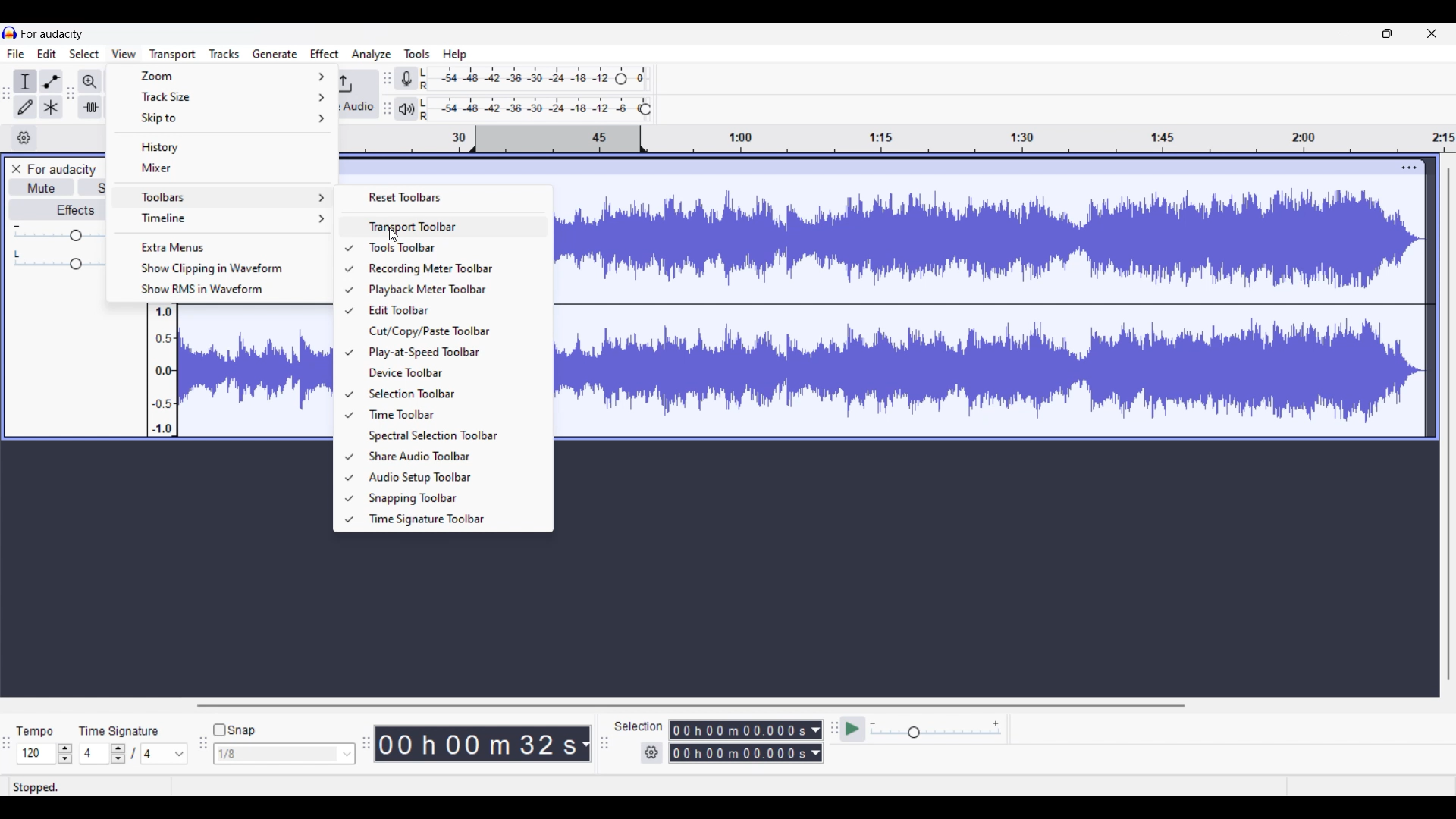  I want to click on Volume scale, so click(58, 232).